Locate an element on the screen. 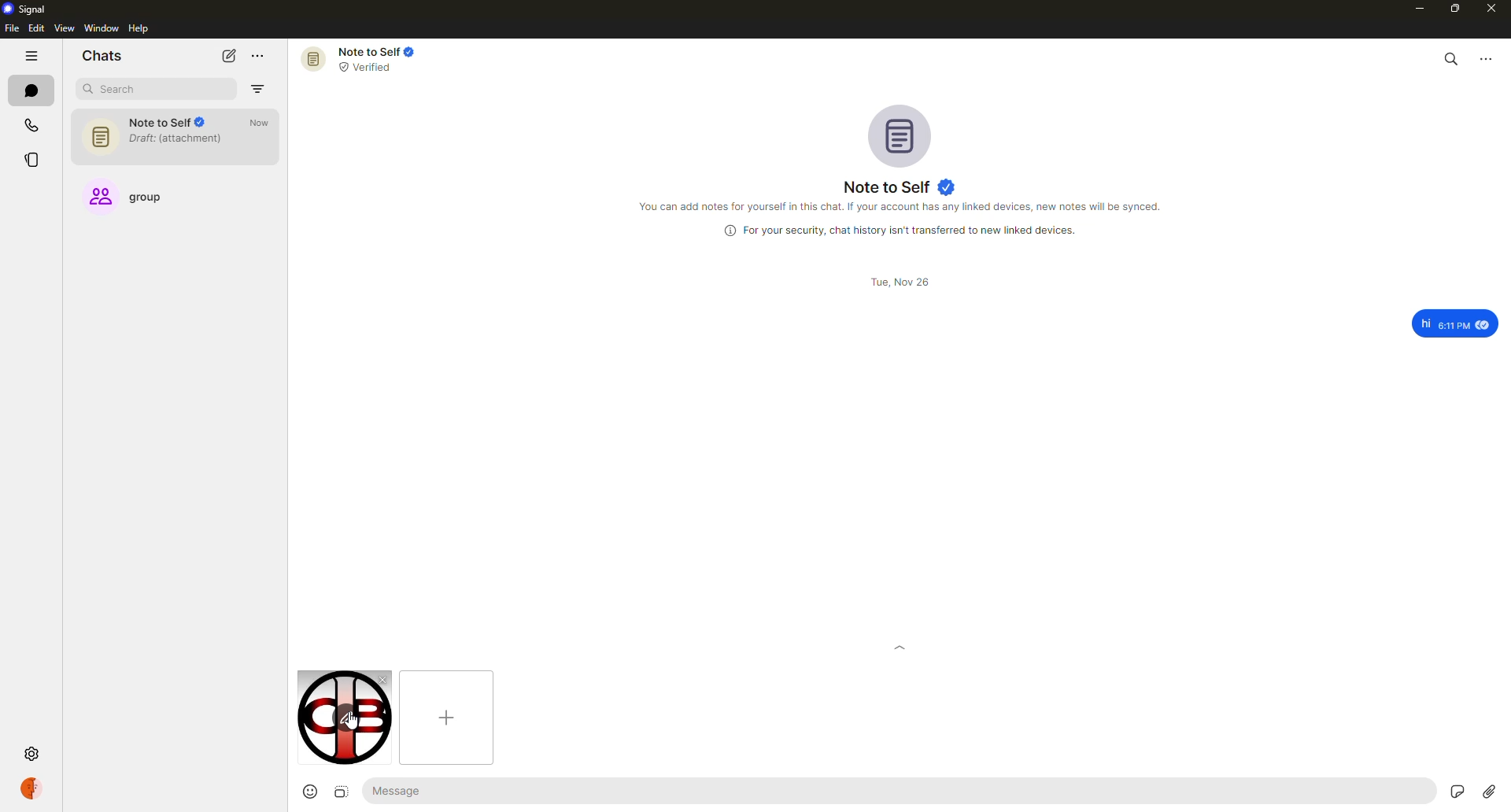  message is located at coordinates (1453, 325).